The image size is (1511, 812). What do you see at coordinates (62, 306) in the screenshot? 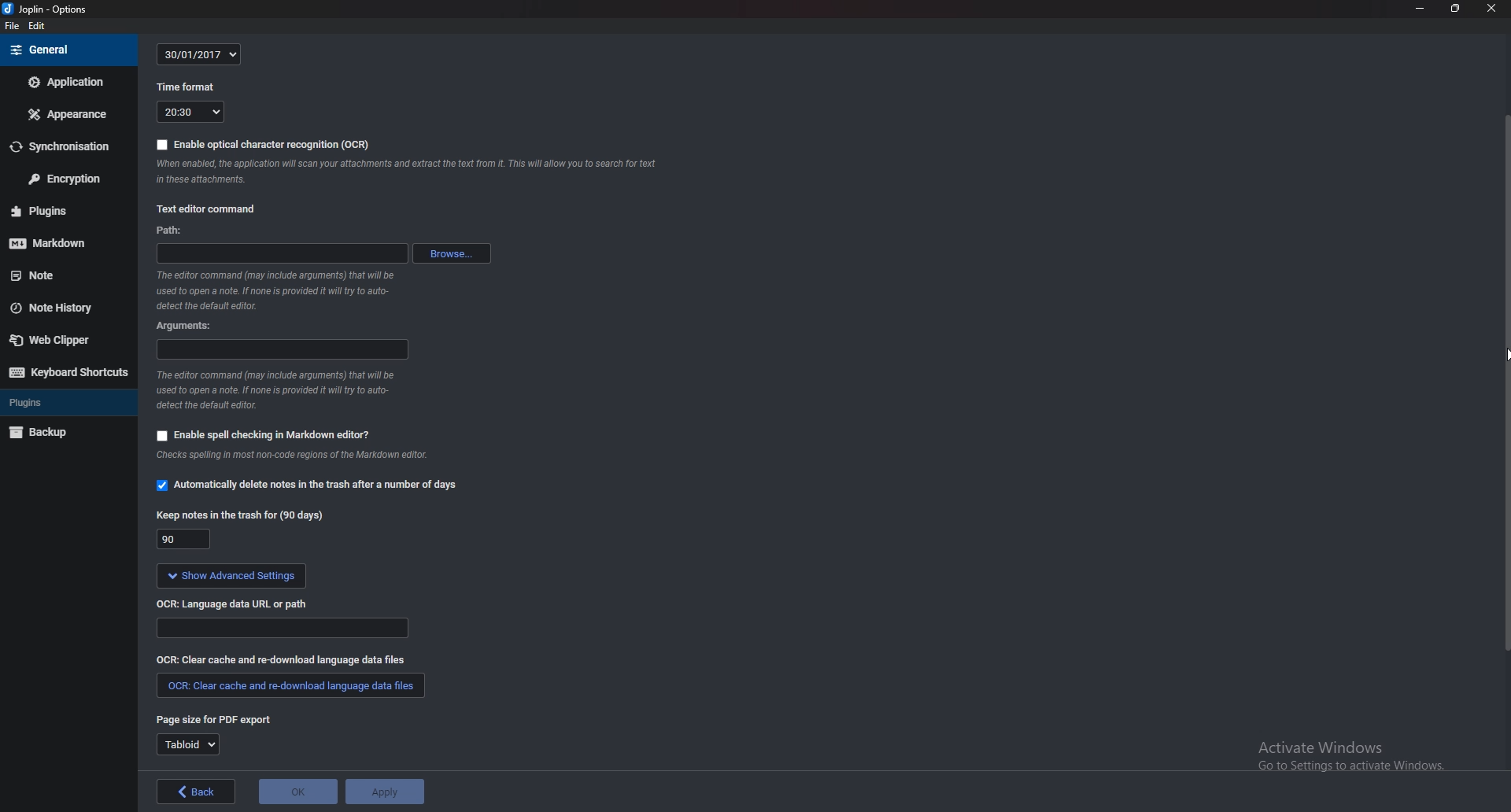
I see `Note history` at bounding box center [62, 306].